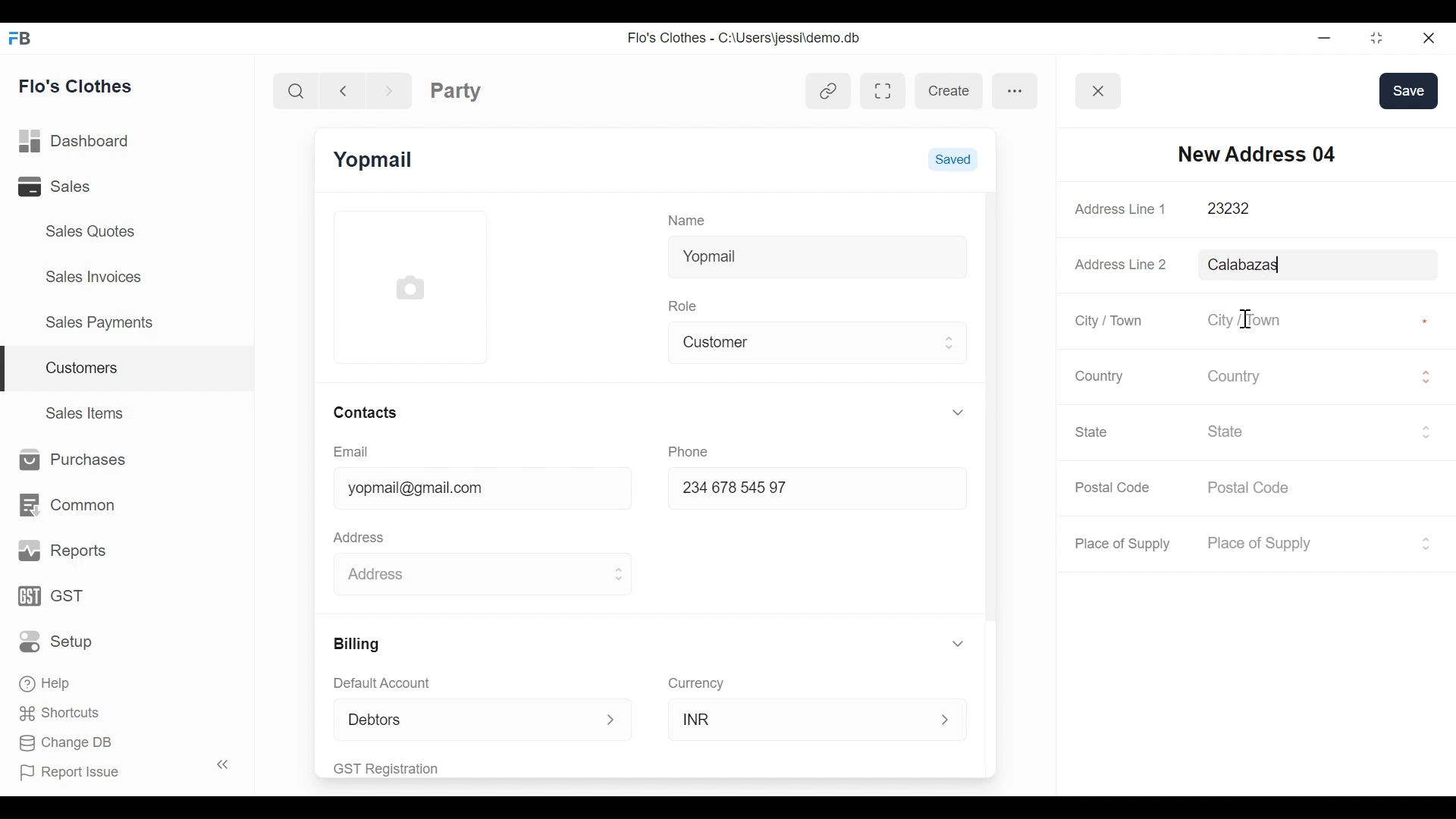 Image resolution: width=1456 pixels, height=819 pixels. Describe the element at coordinates (1094, 431) in the screenshot. I see `State` at that location.